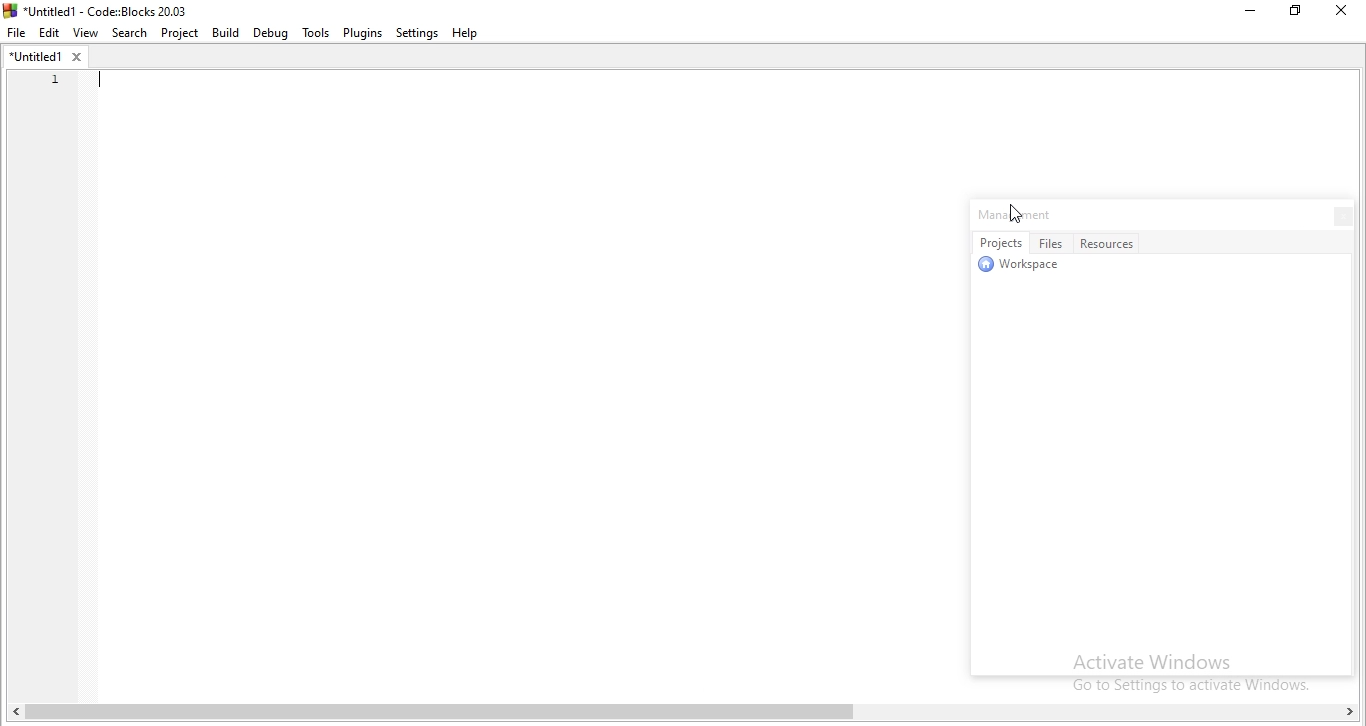 The height and width of the screenshot is (726, 1366). Describe the element at coordinates (1111, 242) in the screenshot. I see `resources` at that location.